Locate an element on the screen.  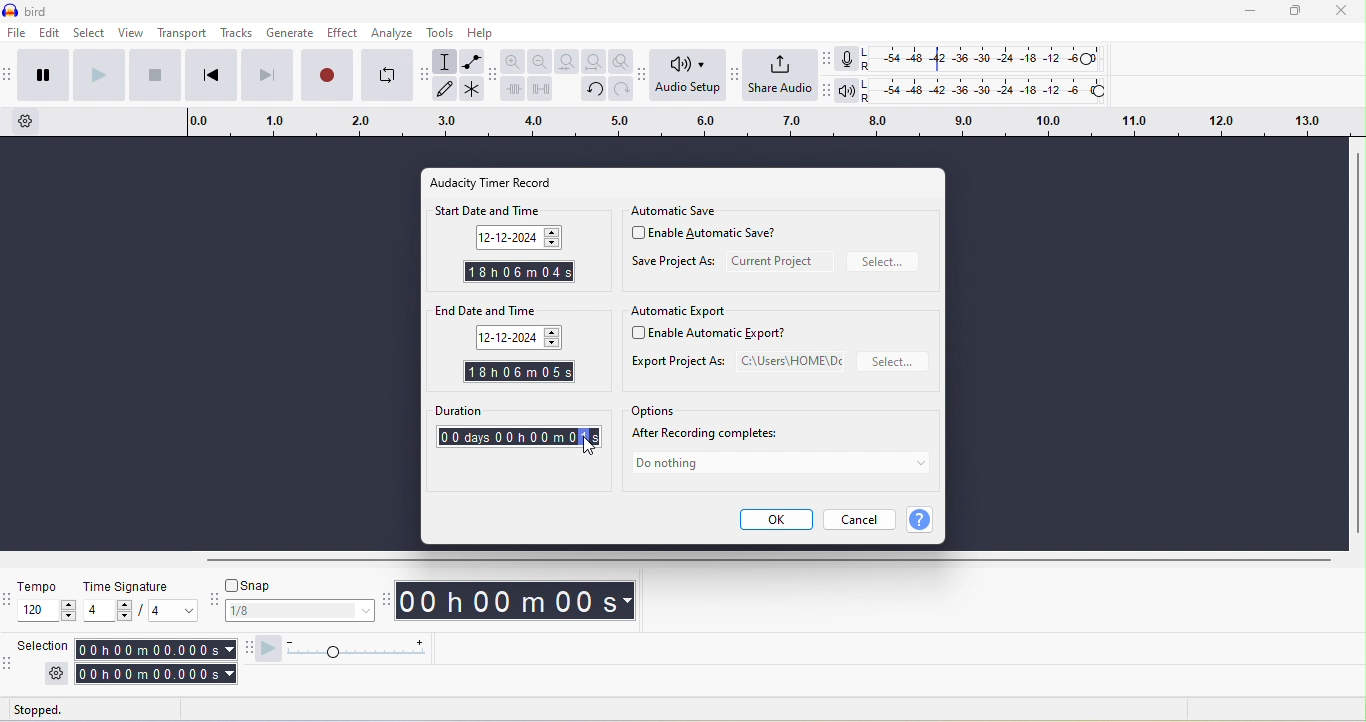
enable automatic save? is located at coordinates (712, 236).